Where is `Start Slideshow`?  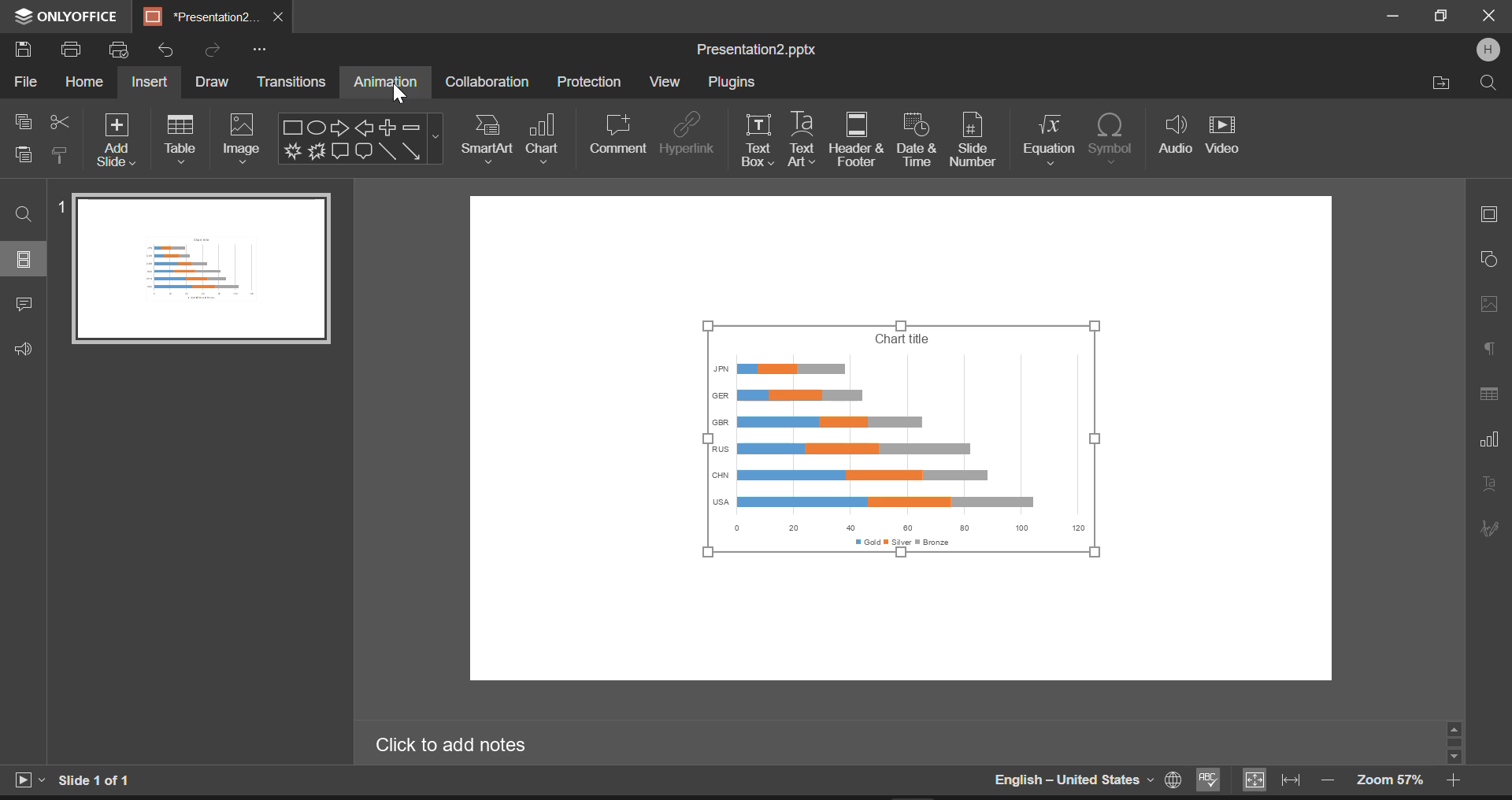
Start Slideshow is located at coordinates (28, 778).